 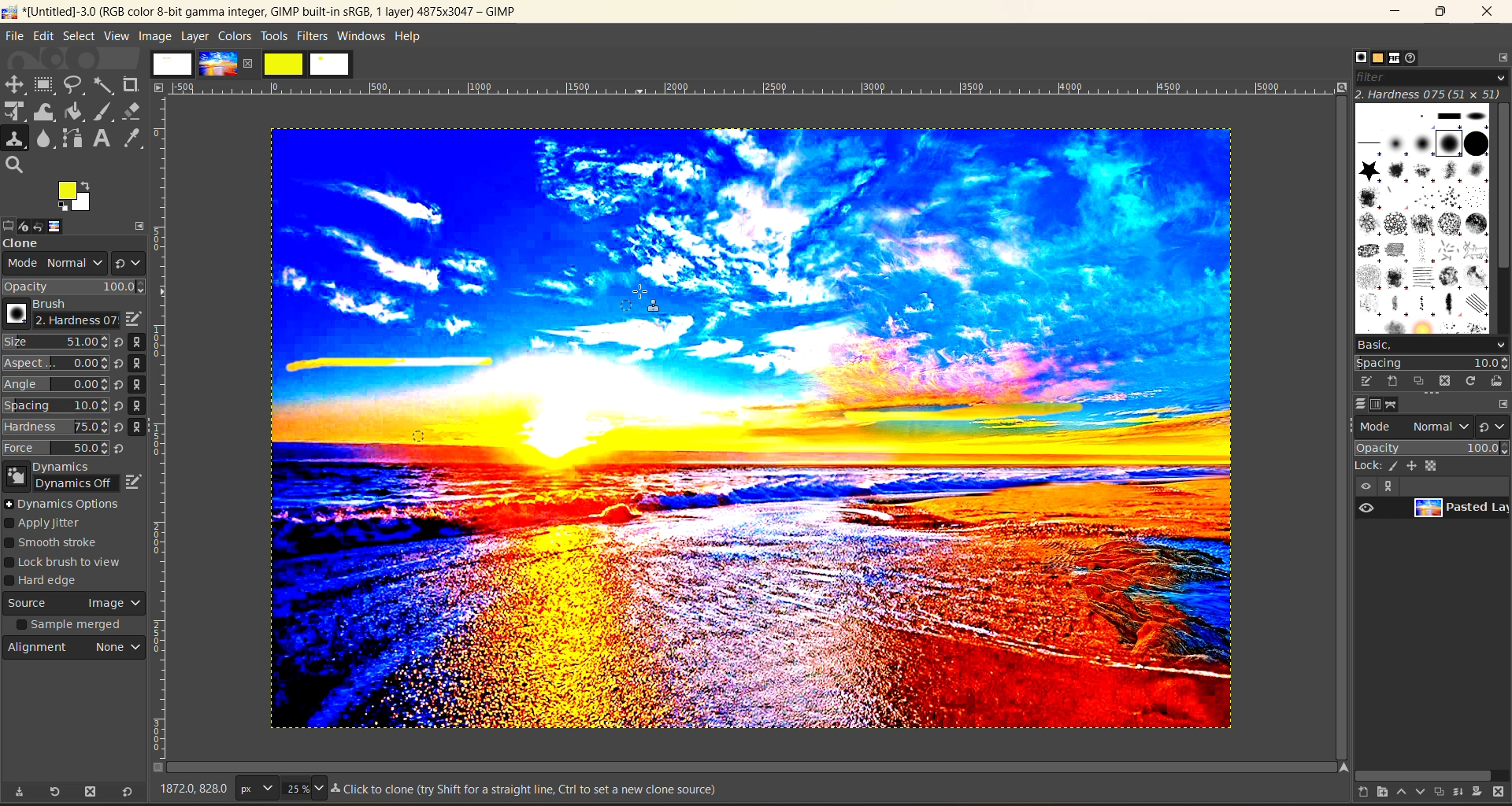 What do you see at coordinates (1416, 793) in the screenshot?
I see `lower this layer` at bounding box center [1416, 793].